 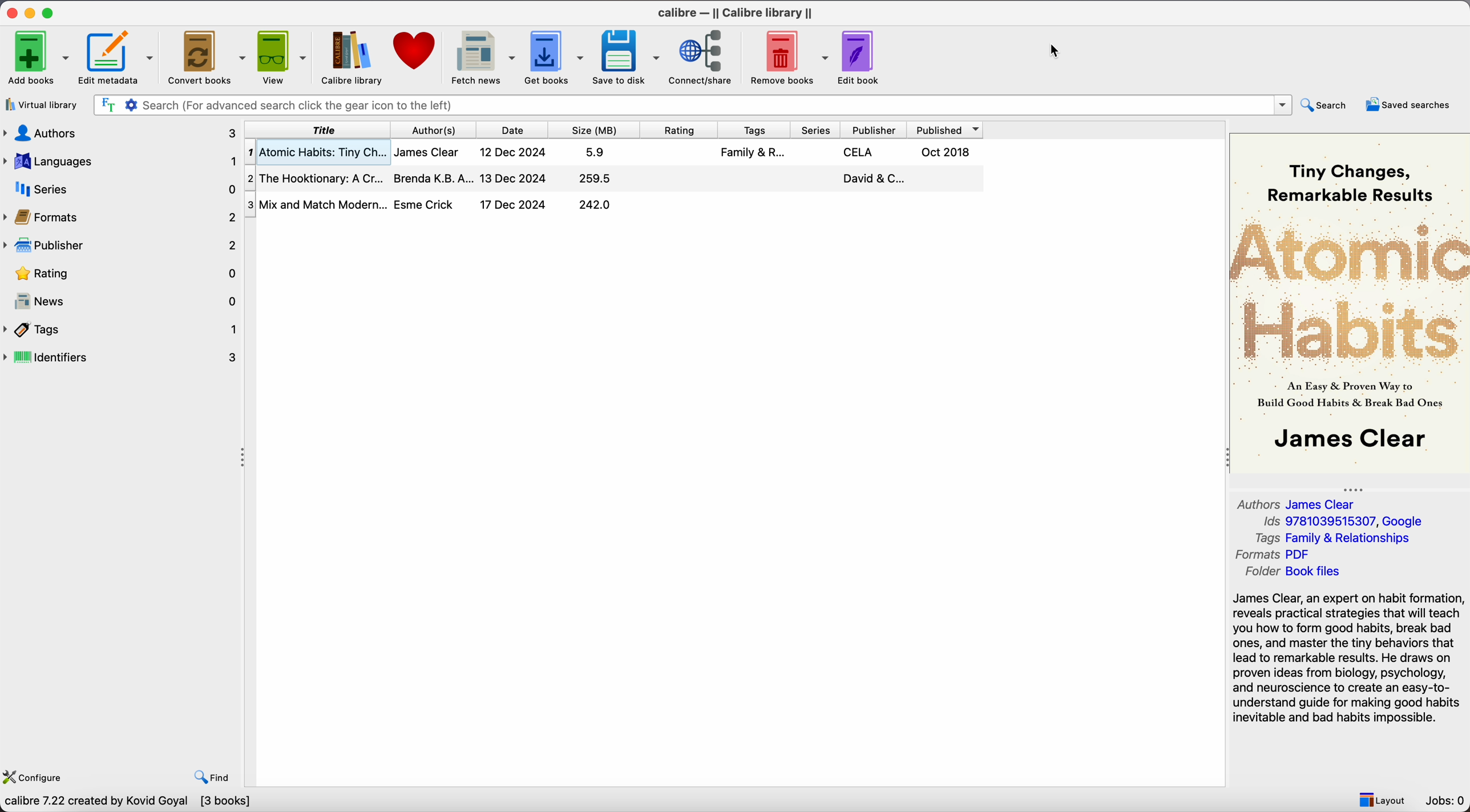 I want to click on search bar, so click(x=693, y=105).